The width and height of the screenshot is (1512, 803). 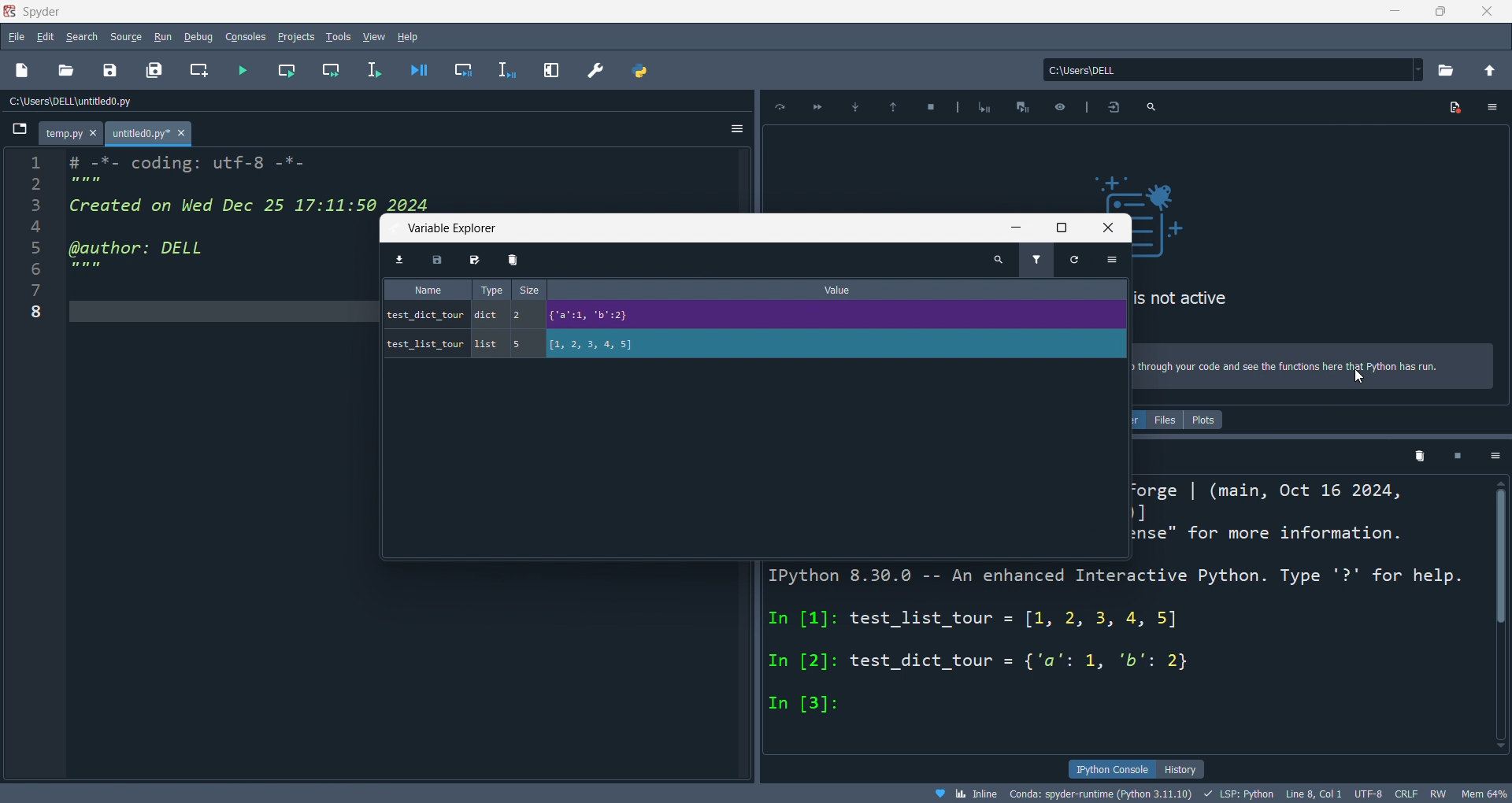 I want to click on open directory, so click(x=1445, y=73).